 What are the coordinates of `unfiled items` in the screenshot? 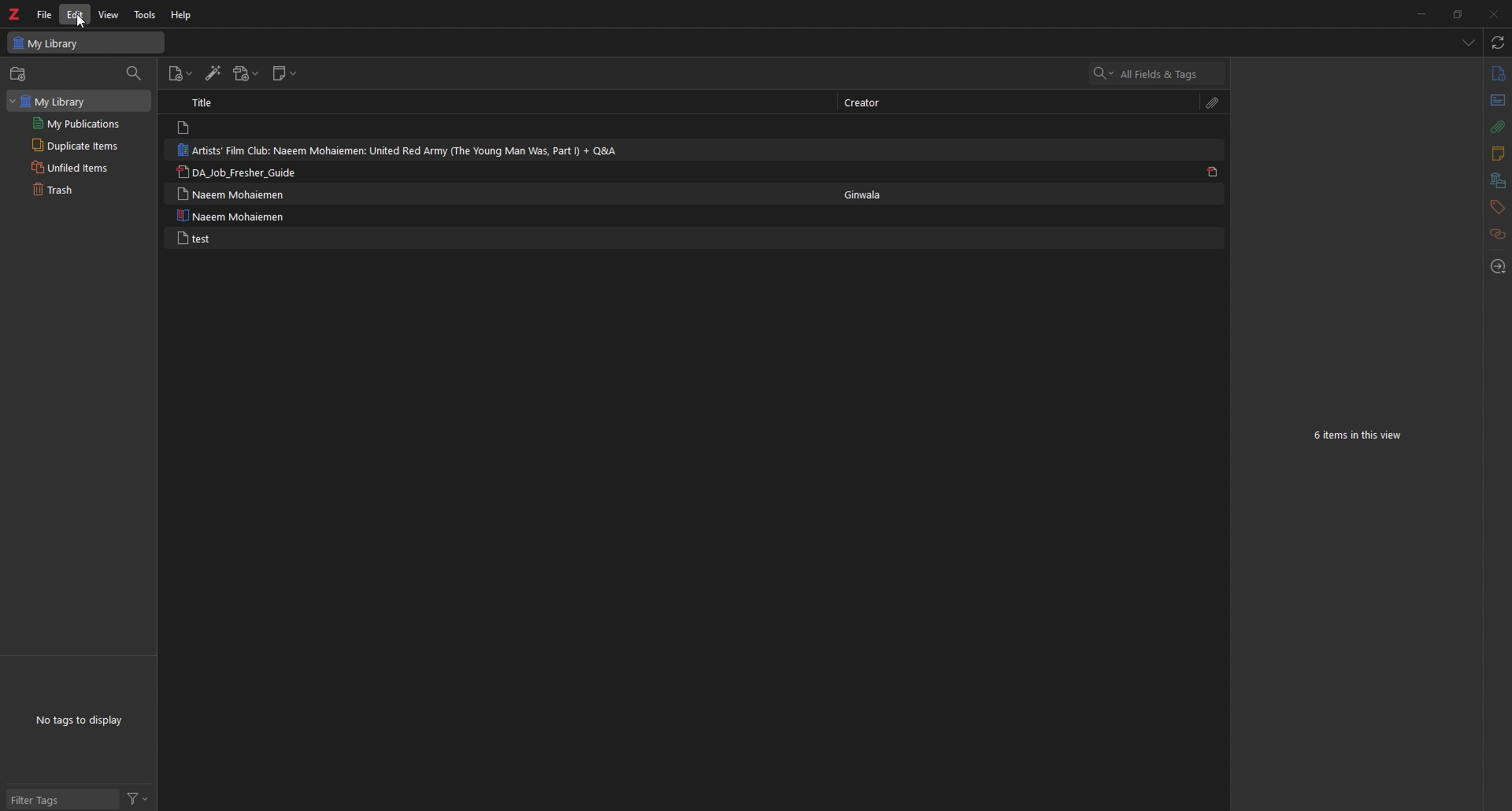 It's located at (80, 167).